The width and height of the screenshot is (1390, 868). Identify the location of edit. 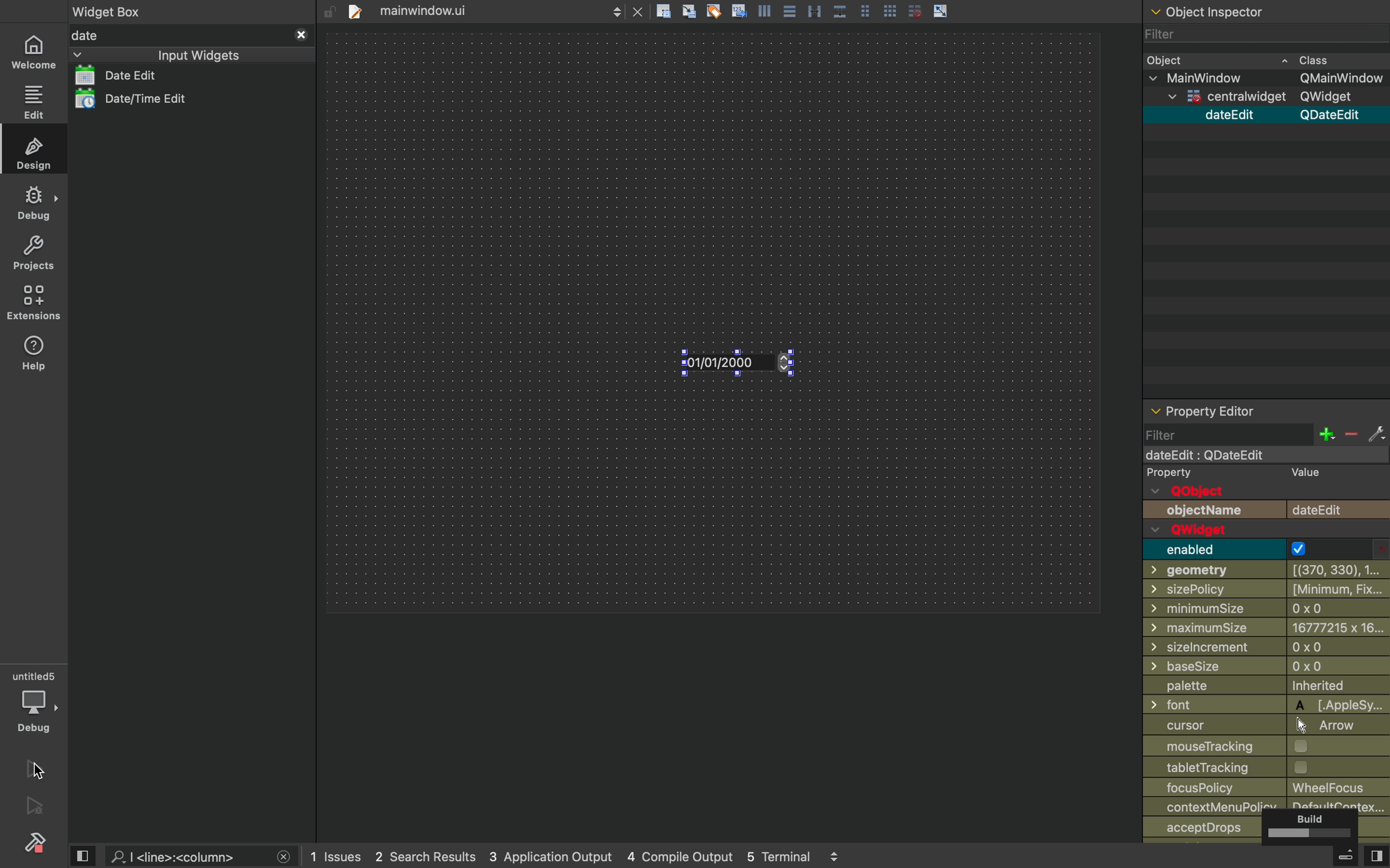
(33, 102).